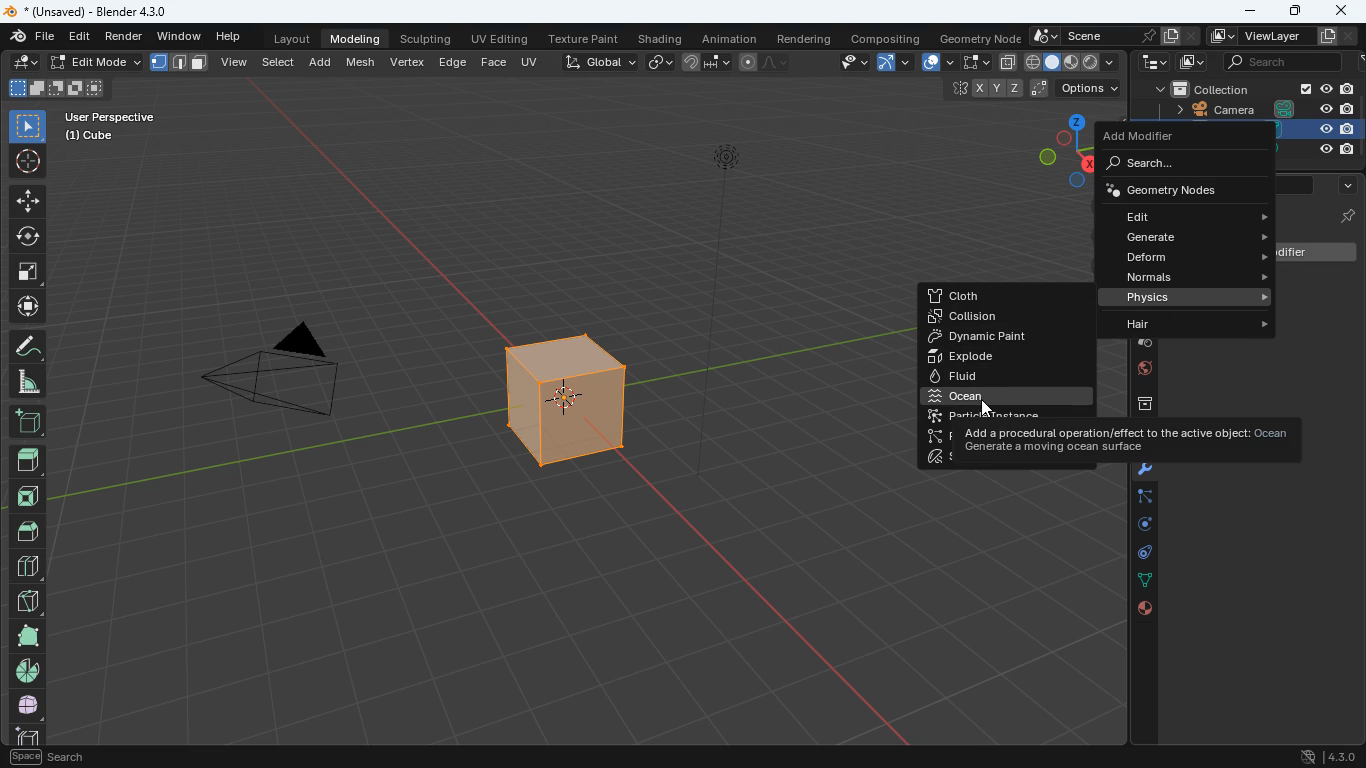 This screenshot has height=768, width=1366. I want to click on pan view, so click(38, 756).